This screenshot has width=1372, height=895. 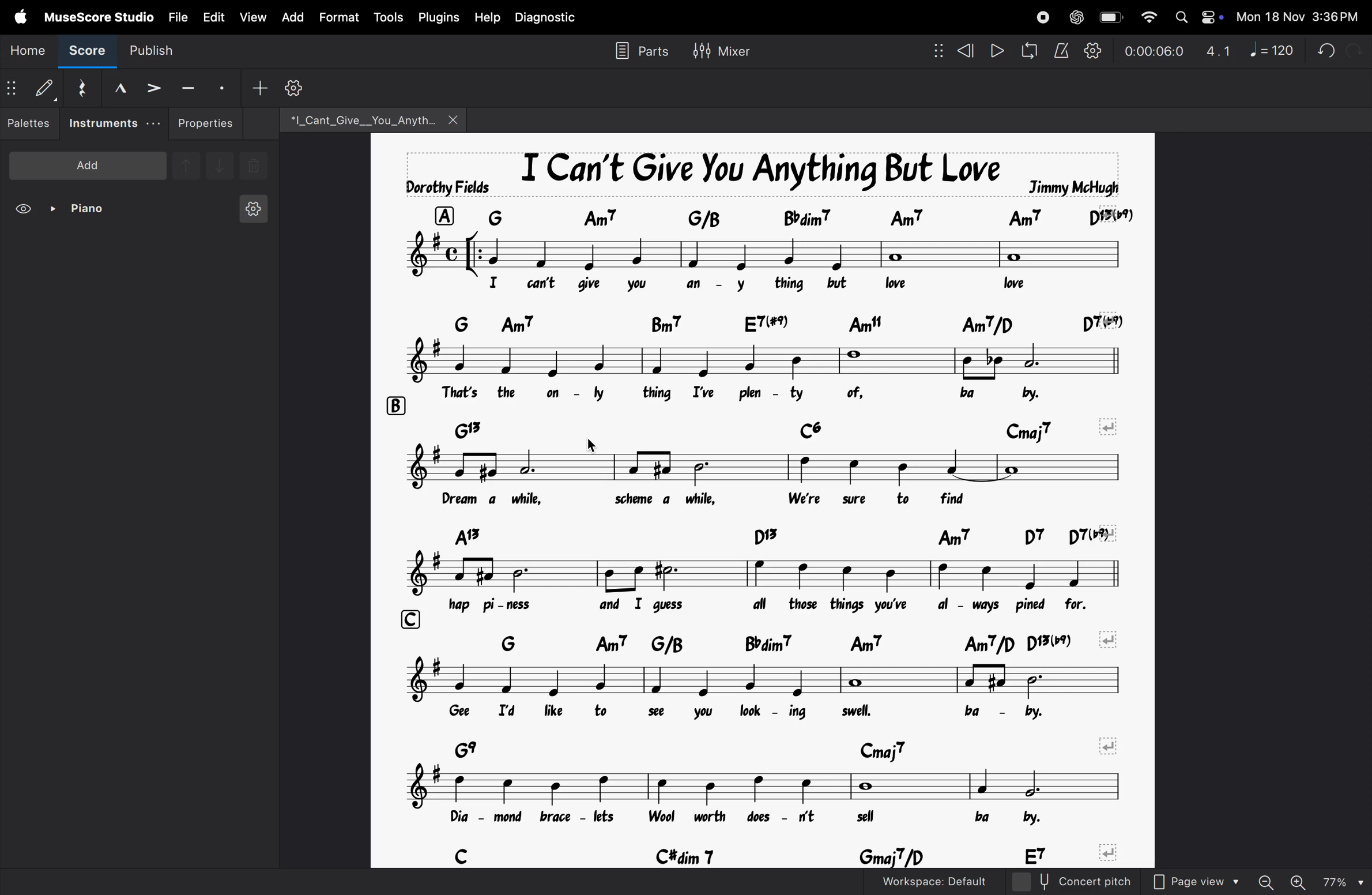 I want to click on plugins, so click(x=437, y=17).